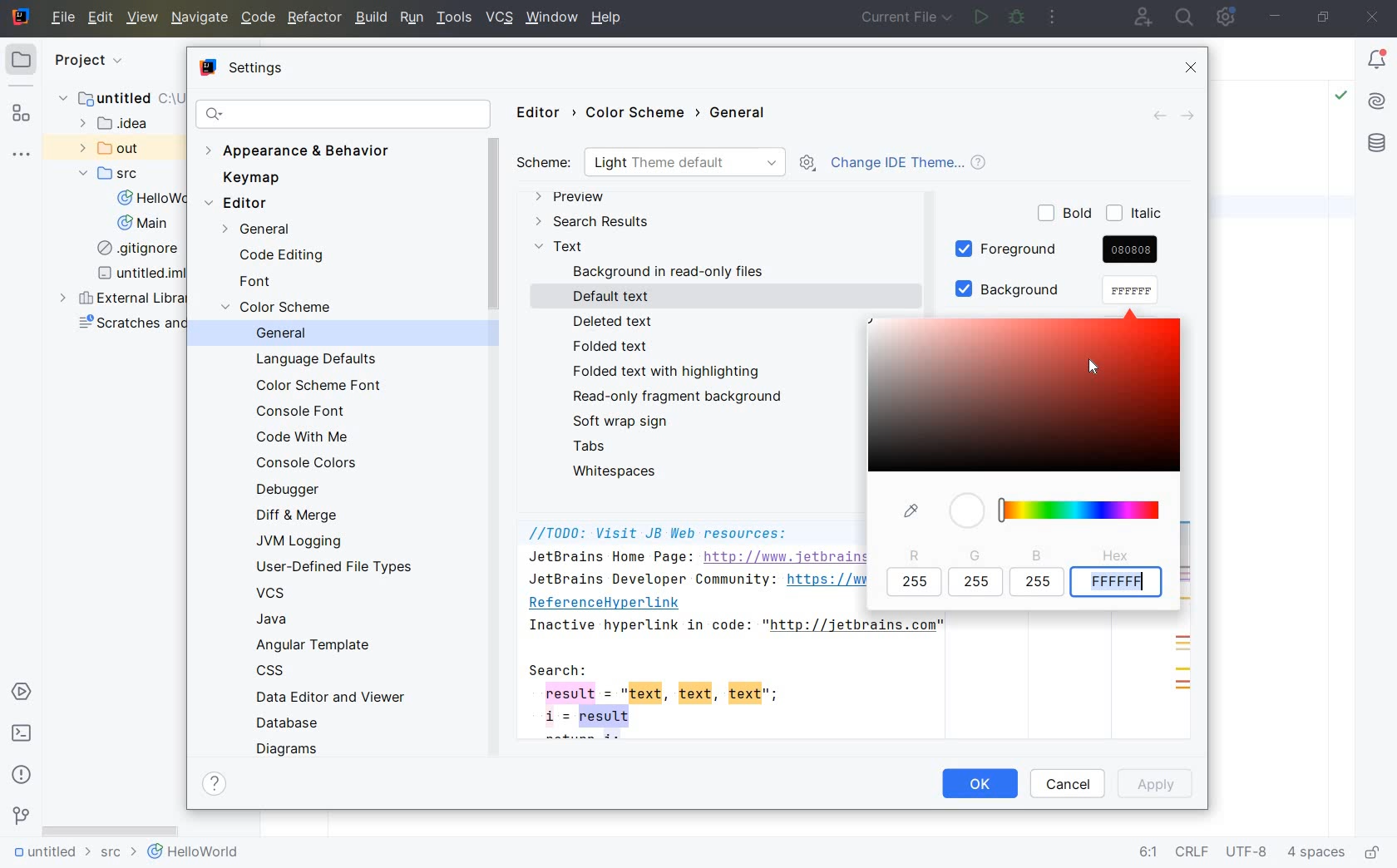 The width and height of the screenshot is (1397, 868). I want to click on GENERAL, so click(292, 334).